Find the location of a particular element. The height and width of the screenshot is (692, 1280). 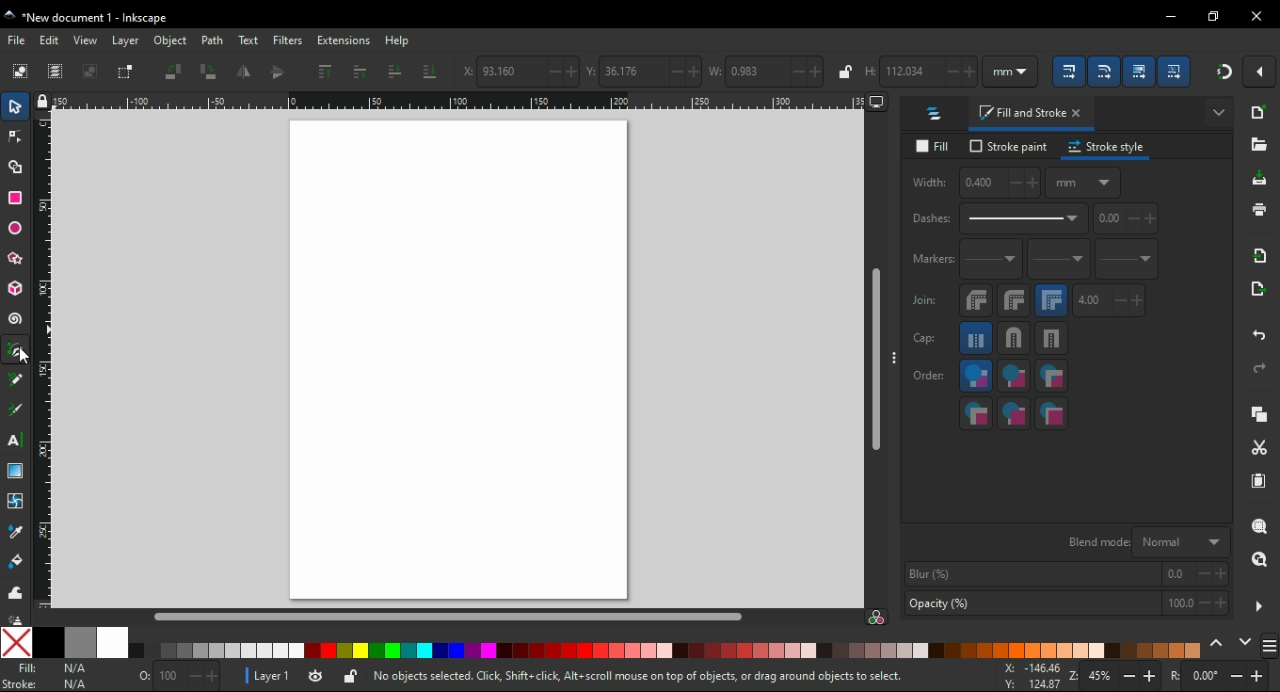

50% grey is located at coordinates (79, 642).